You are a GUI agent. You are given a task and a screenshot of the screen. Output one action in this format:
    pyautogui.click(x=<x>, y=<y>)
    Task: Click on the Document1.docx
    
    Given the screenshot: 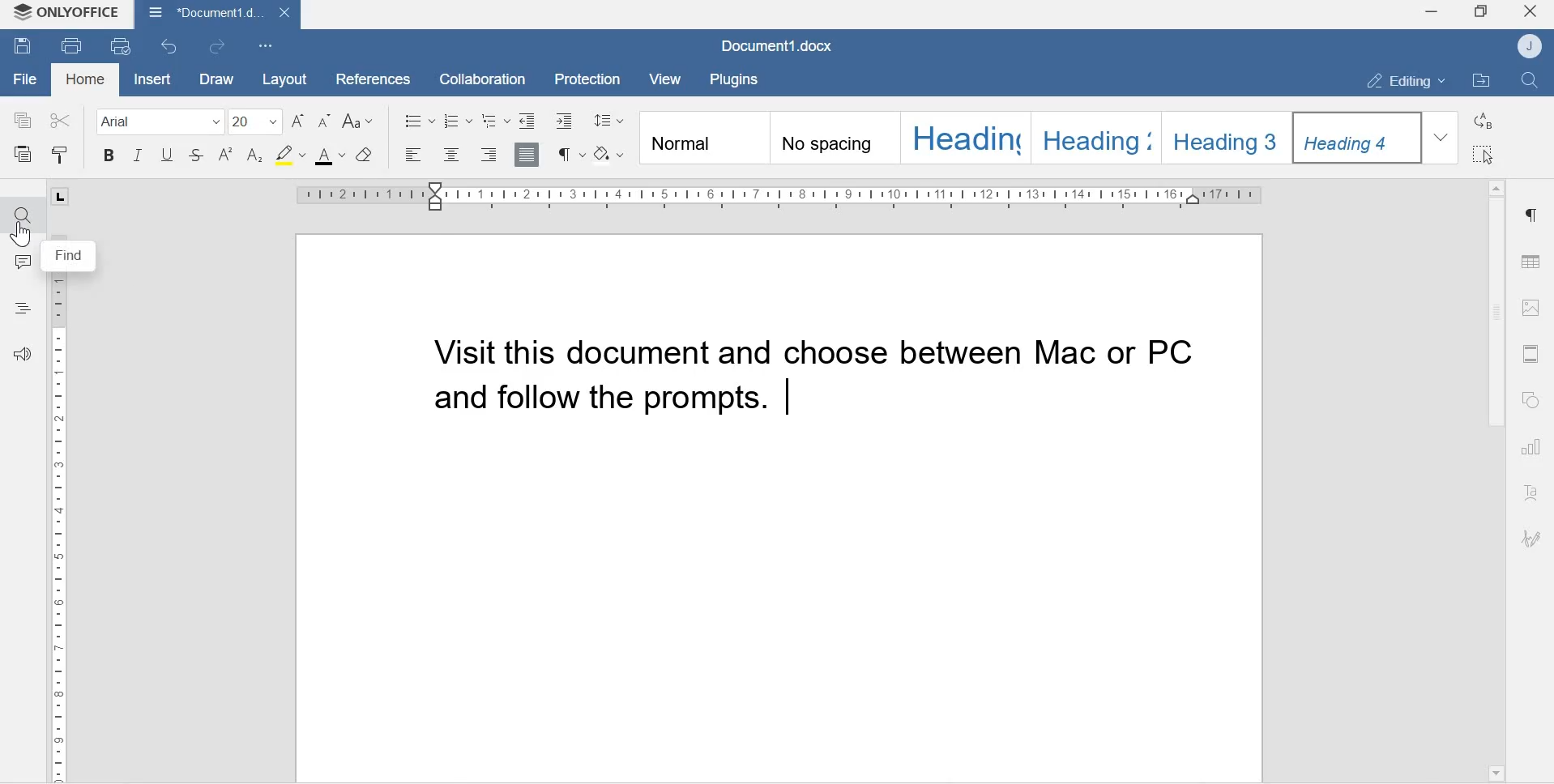 What is the action you would take?
    pyautogui.click(x=780, y=47)
    